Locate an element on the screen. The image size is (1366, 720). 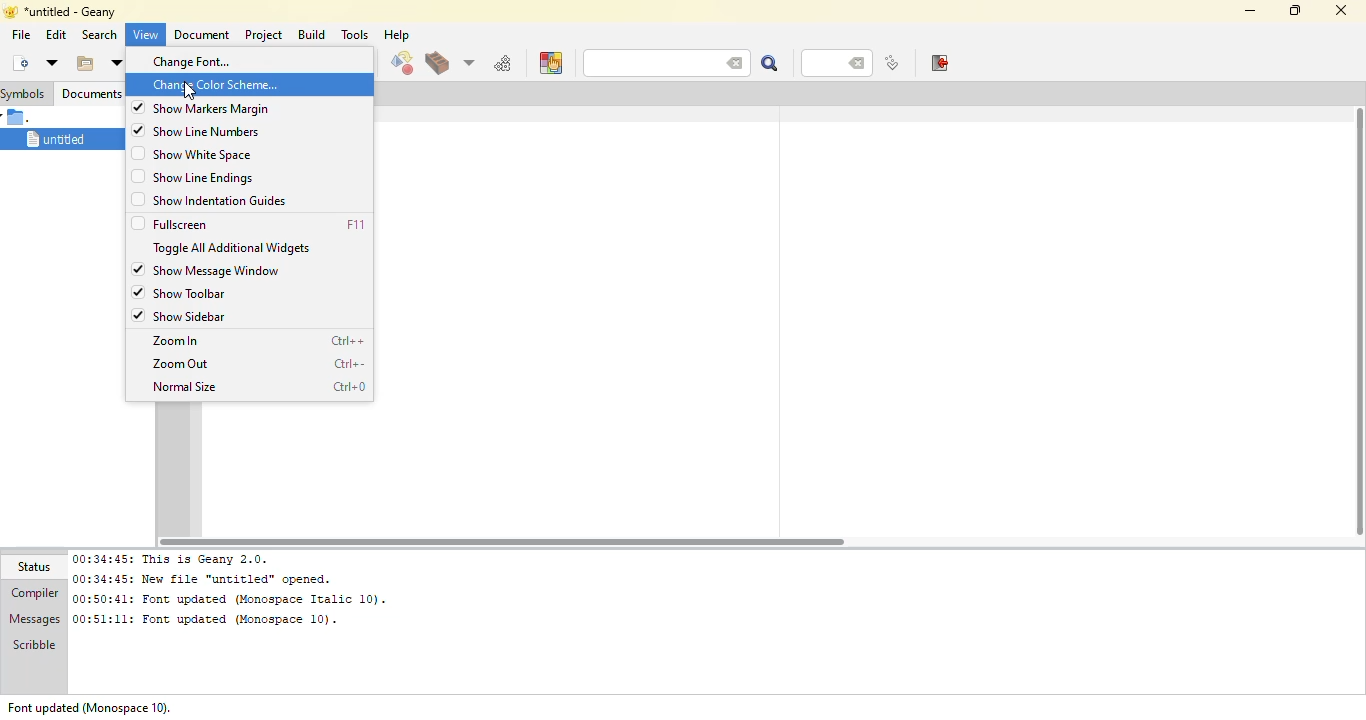
exit is located at coordinates (938, 63).